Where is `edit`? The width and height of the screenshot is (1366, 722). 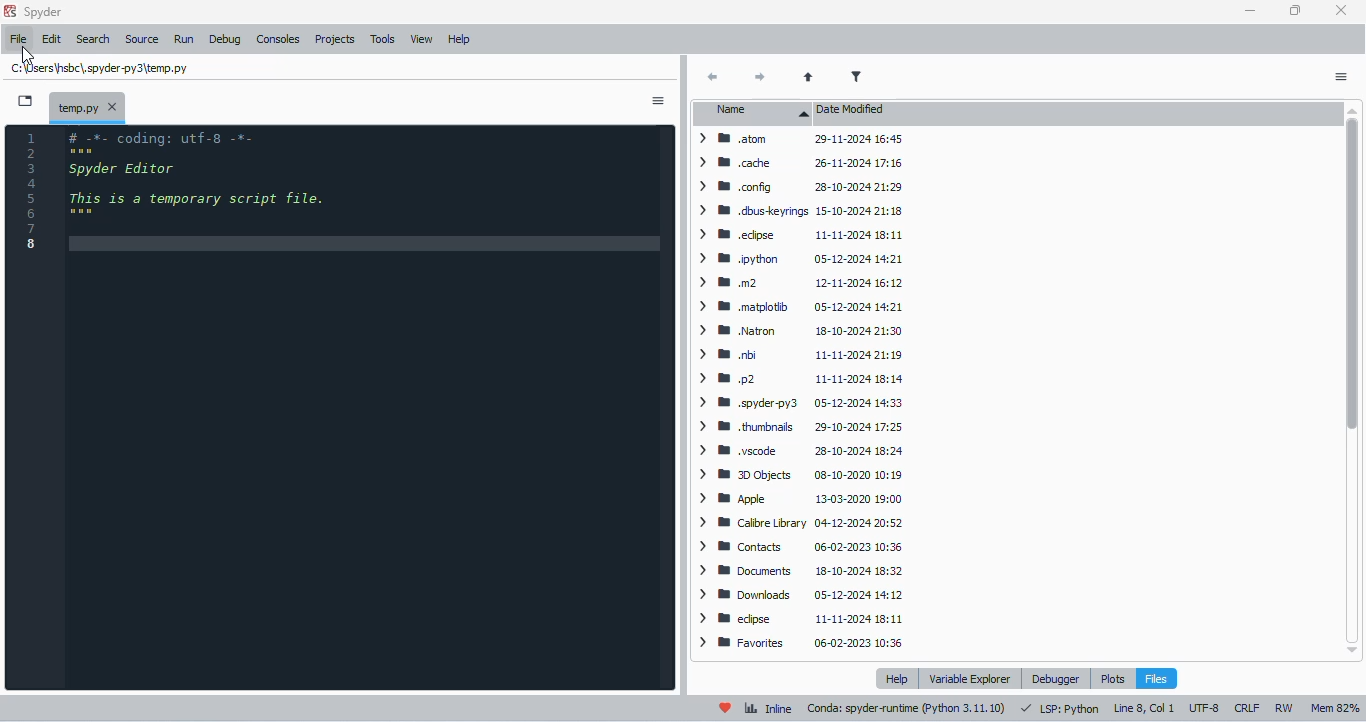 edit is located at coordinates (52, 39).